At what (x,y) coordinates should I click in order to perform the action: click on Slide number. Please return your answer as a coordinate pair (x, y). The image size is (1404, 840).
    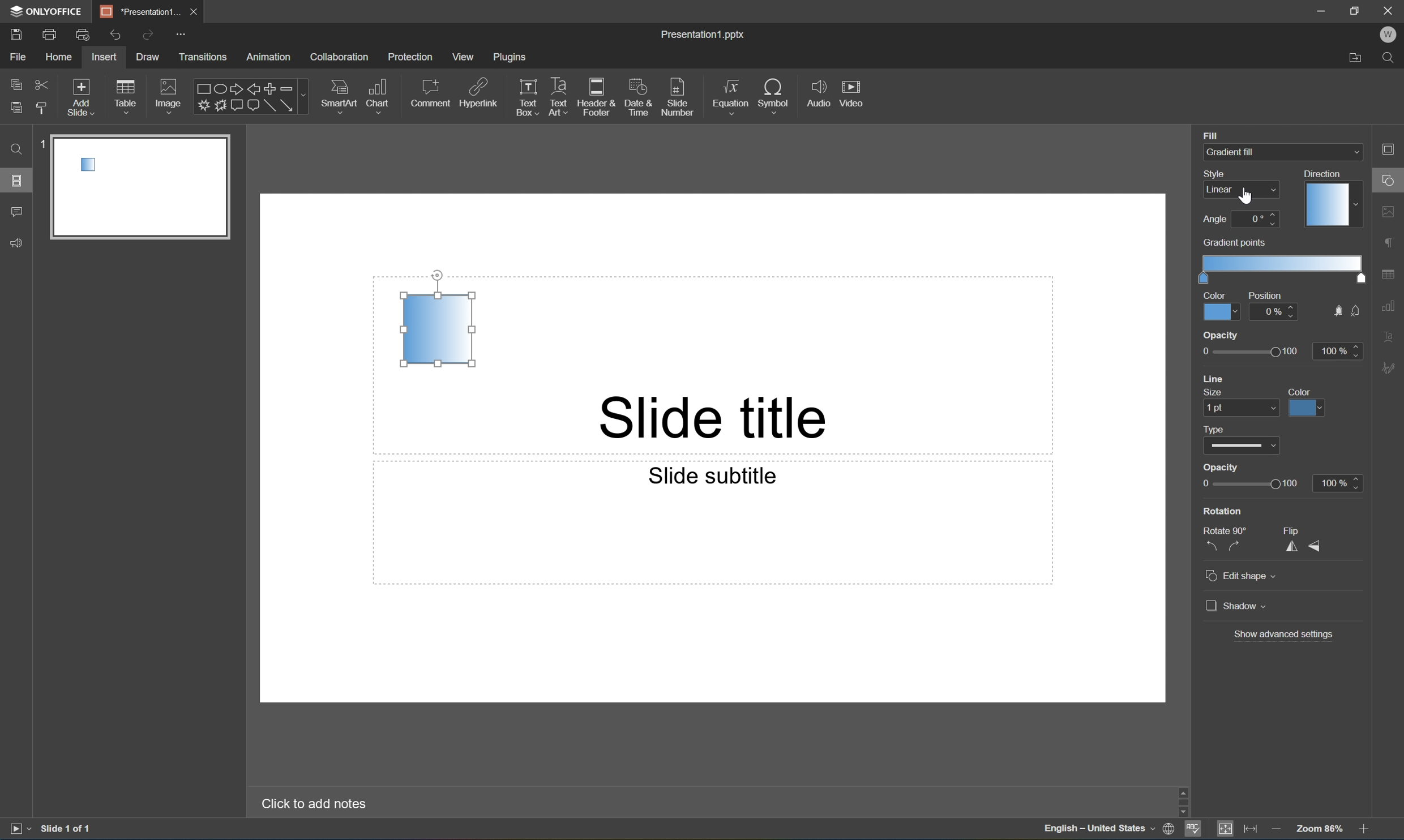
    Looking at the image, I should click on (678, 93).